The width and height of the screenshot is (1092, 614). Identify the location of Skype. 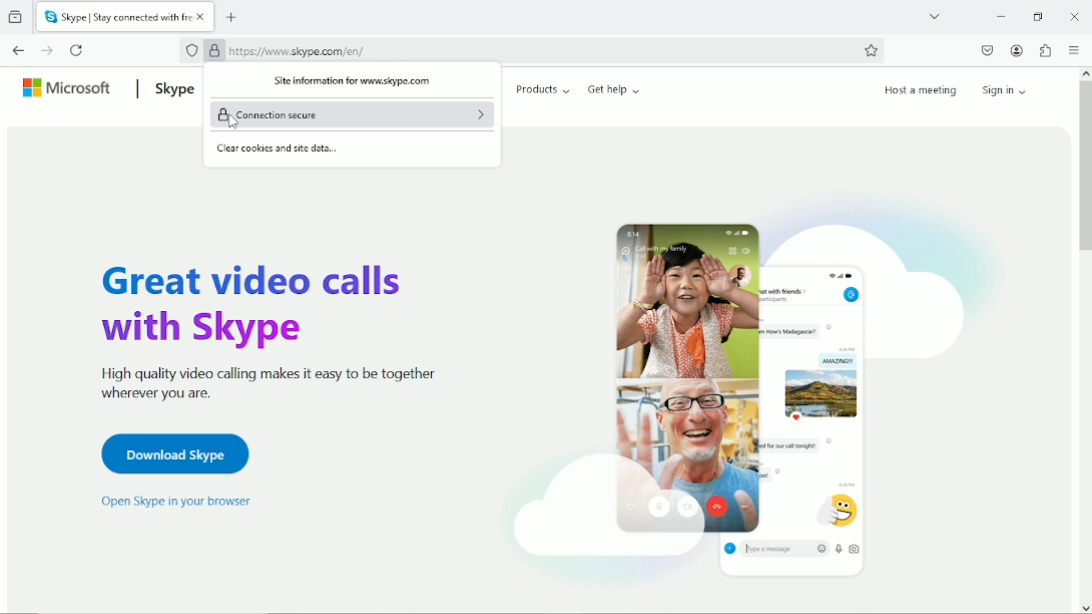
(172, 88).